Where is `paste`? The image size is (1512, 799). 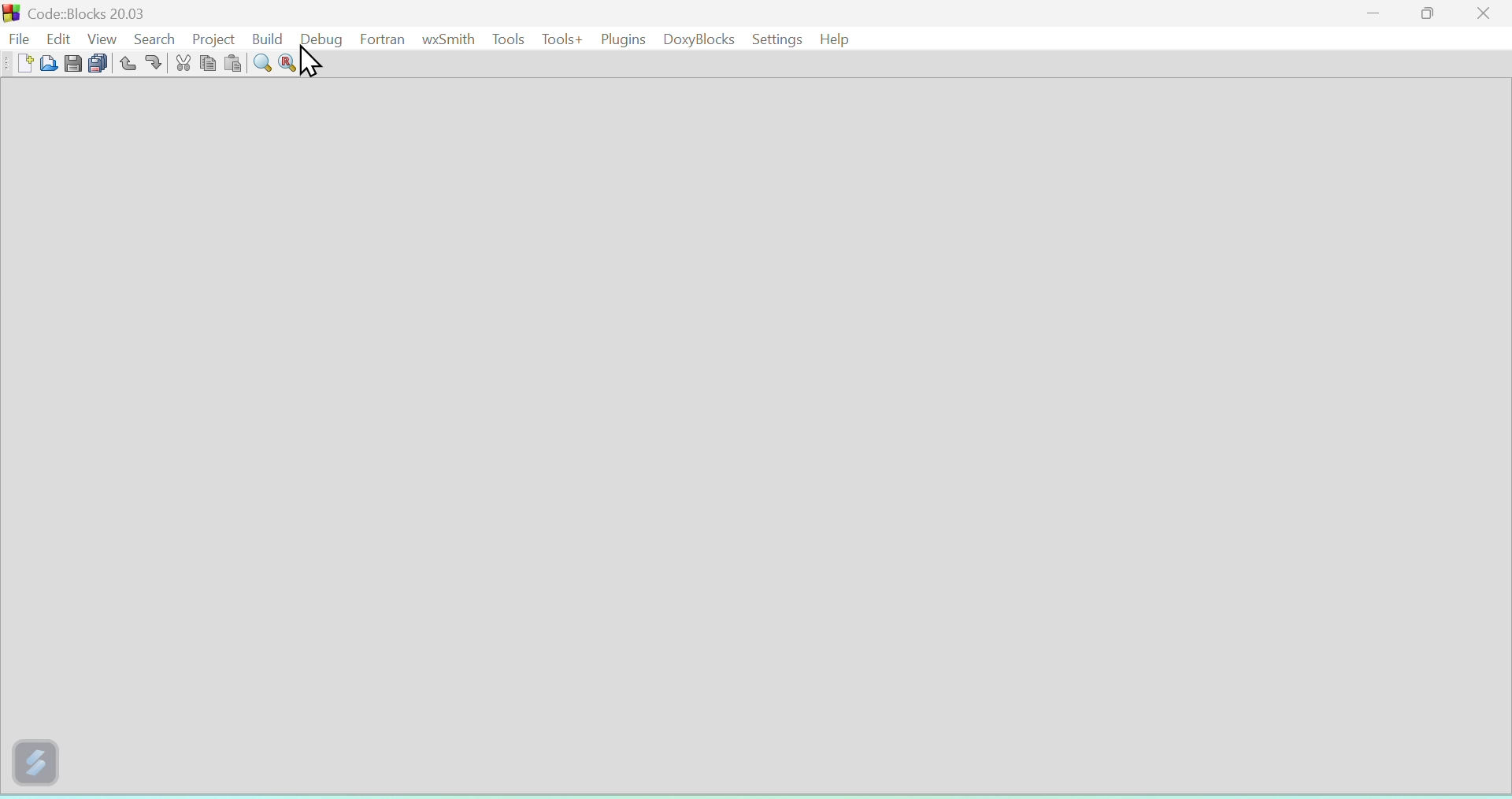 paste is located at coordinates (232, 65).